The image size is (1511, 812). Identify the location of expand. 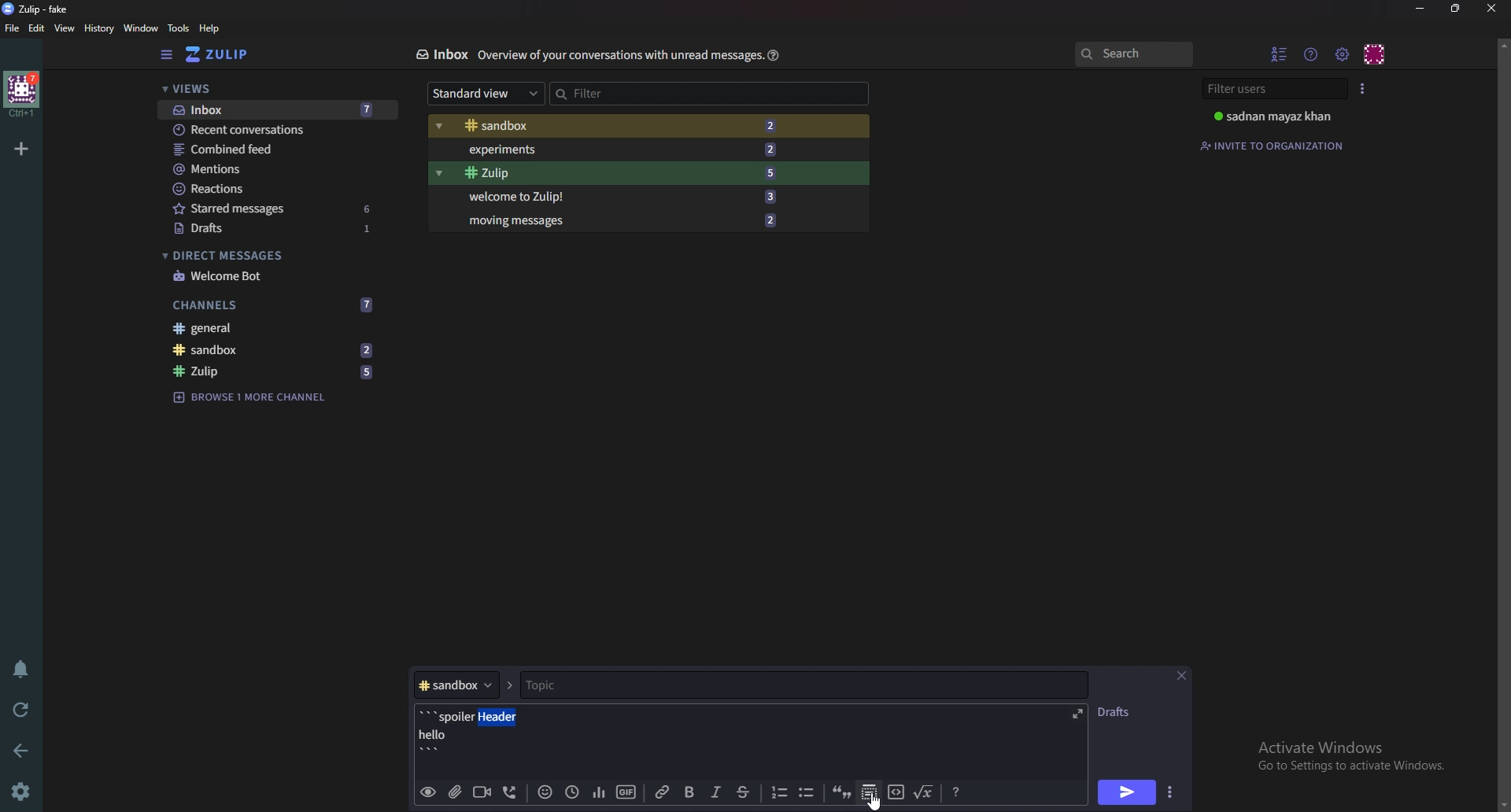
(1079, 714).